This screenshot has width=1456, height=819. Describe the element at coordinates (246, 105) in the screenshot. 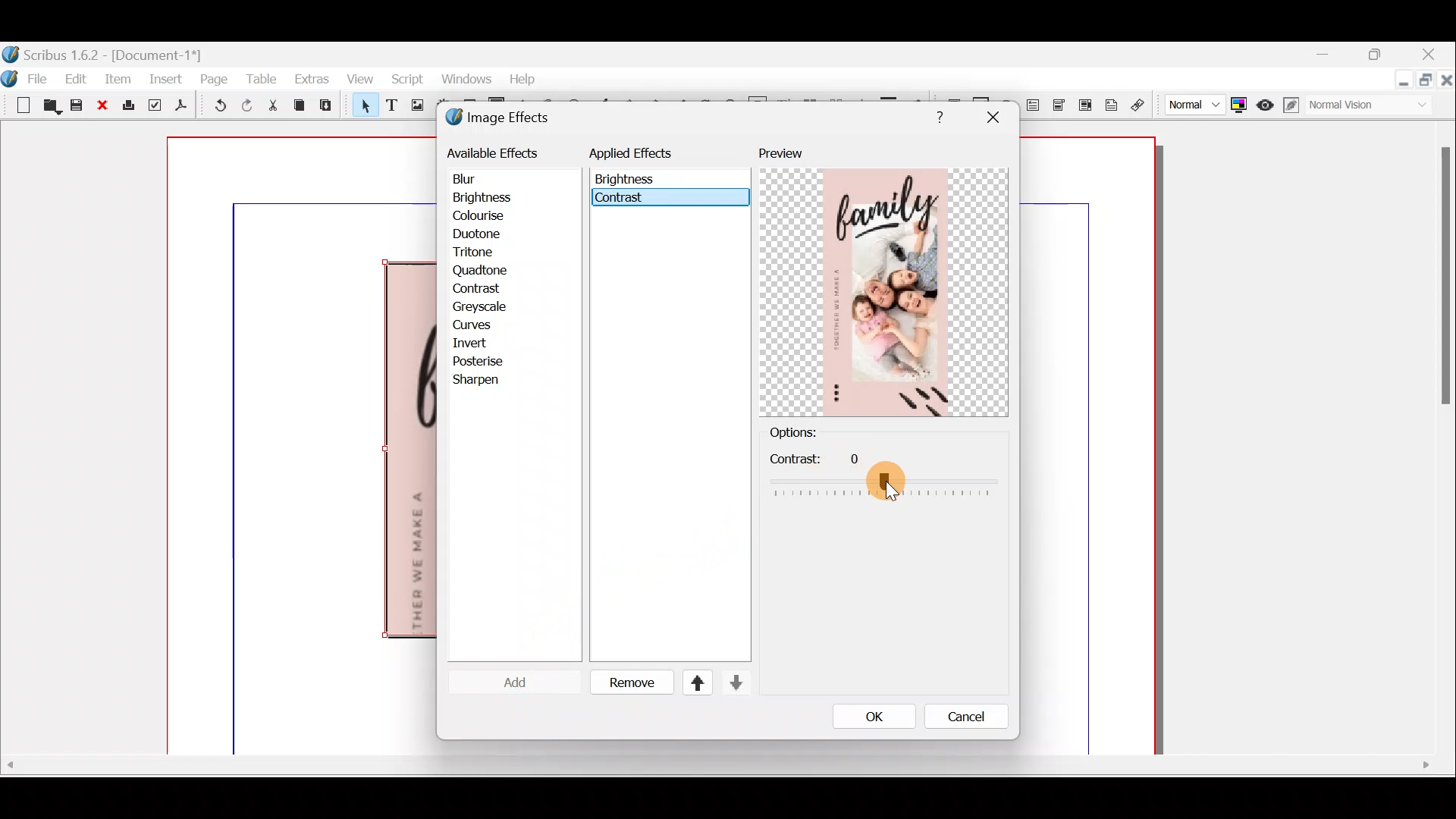

I see `Redo` at that location.